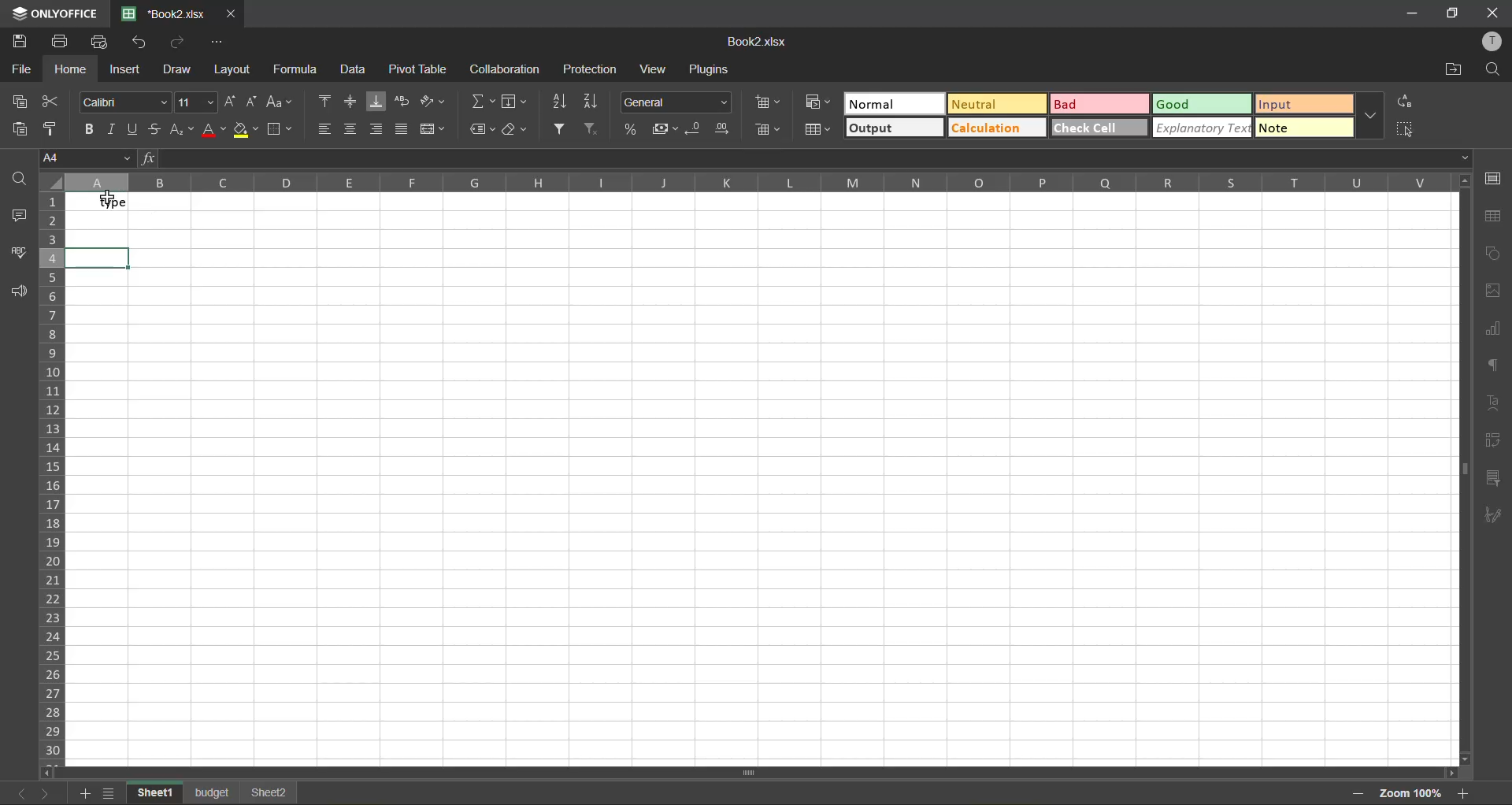 The width and height of the screenshot is (1512, 805). Describe the element at coordinates (22, 127) in the screenshot. I see `paste` at that location.